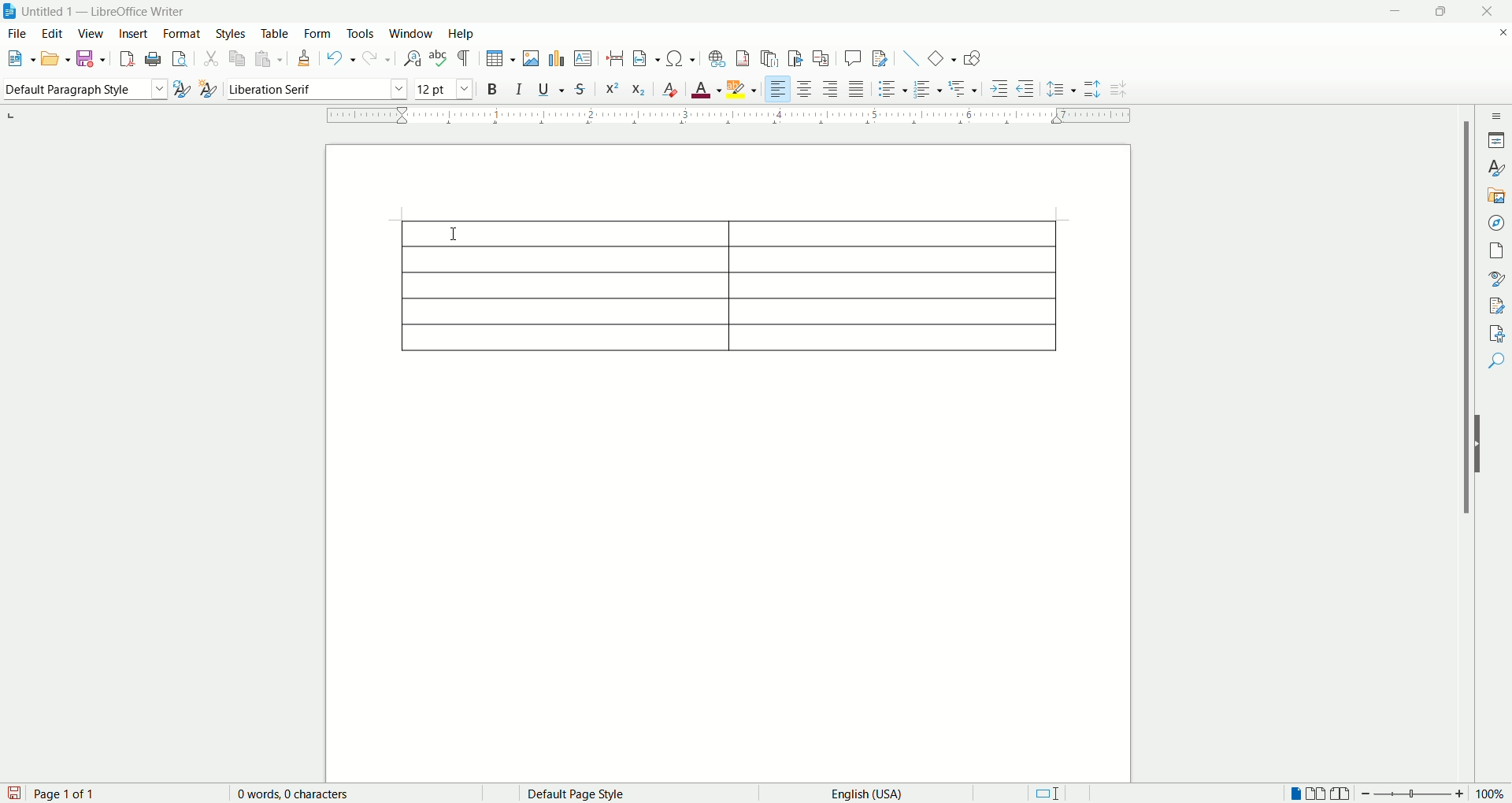  What do you see at coordinates (1496, 278) in the screenshot?
I see `style inspector` at bounding box center [1496, 278].